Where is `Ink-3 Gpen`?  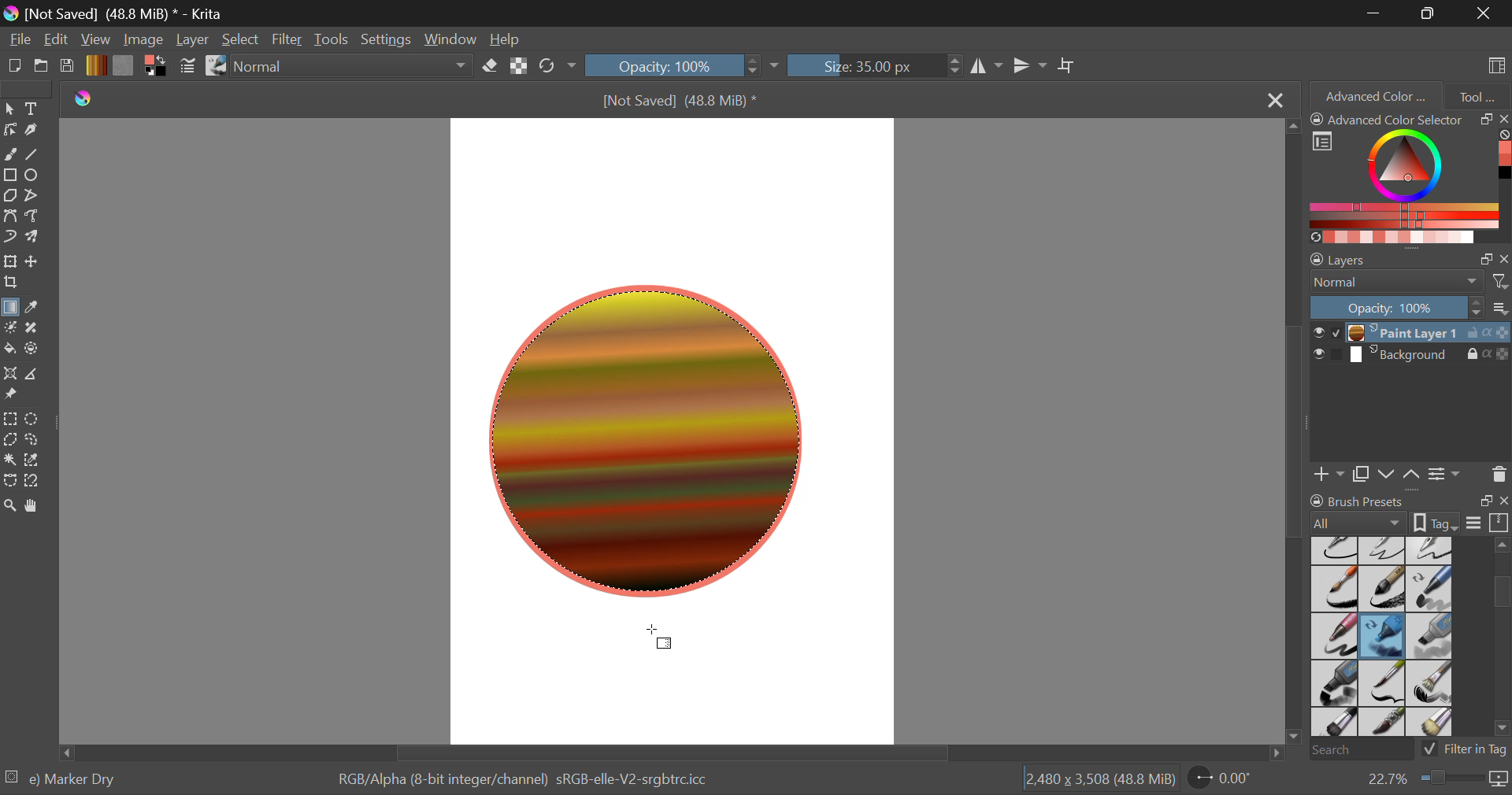 Ink-3 Gpen is located at coordinates (1384, 550).